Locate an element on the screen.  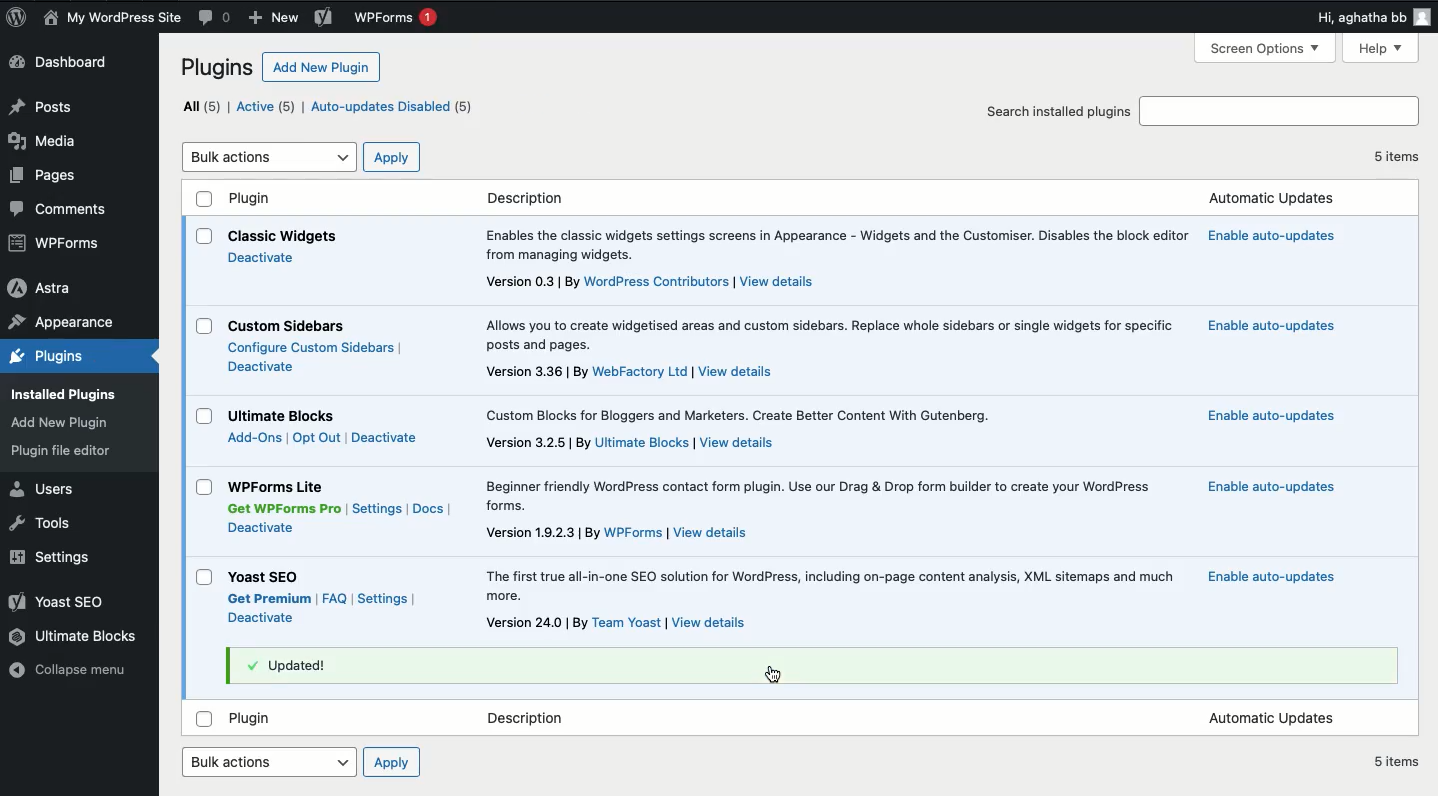
Logo is located at coordinates (17, 18).